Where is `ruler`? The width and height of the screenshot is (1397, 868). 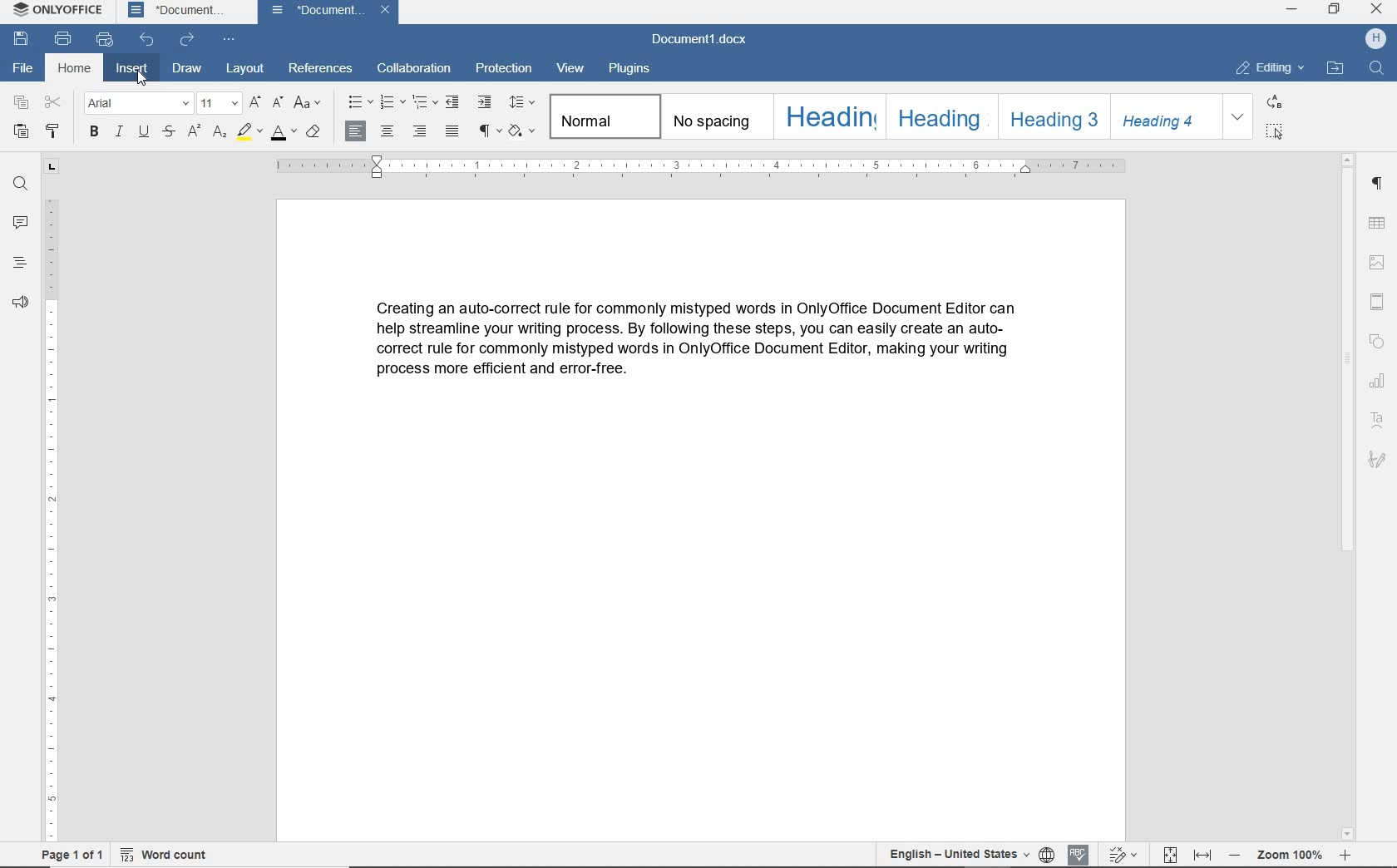 ruler is located at coordinates (49, 497).